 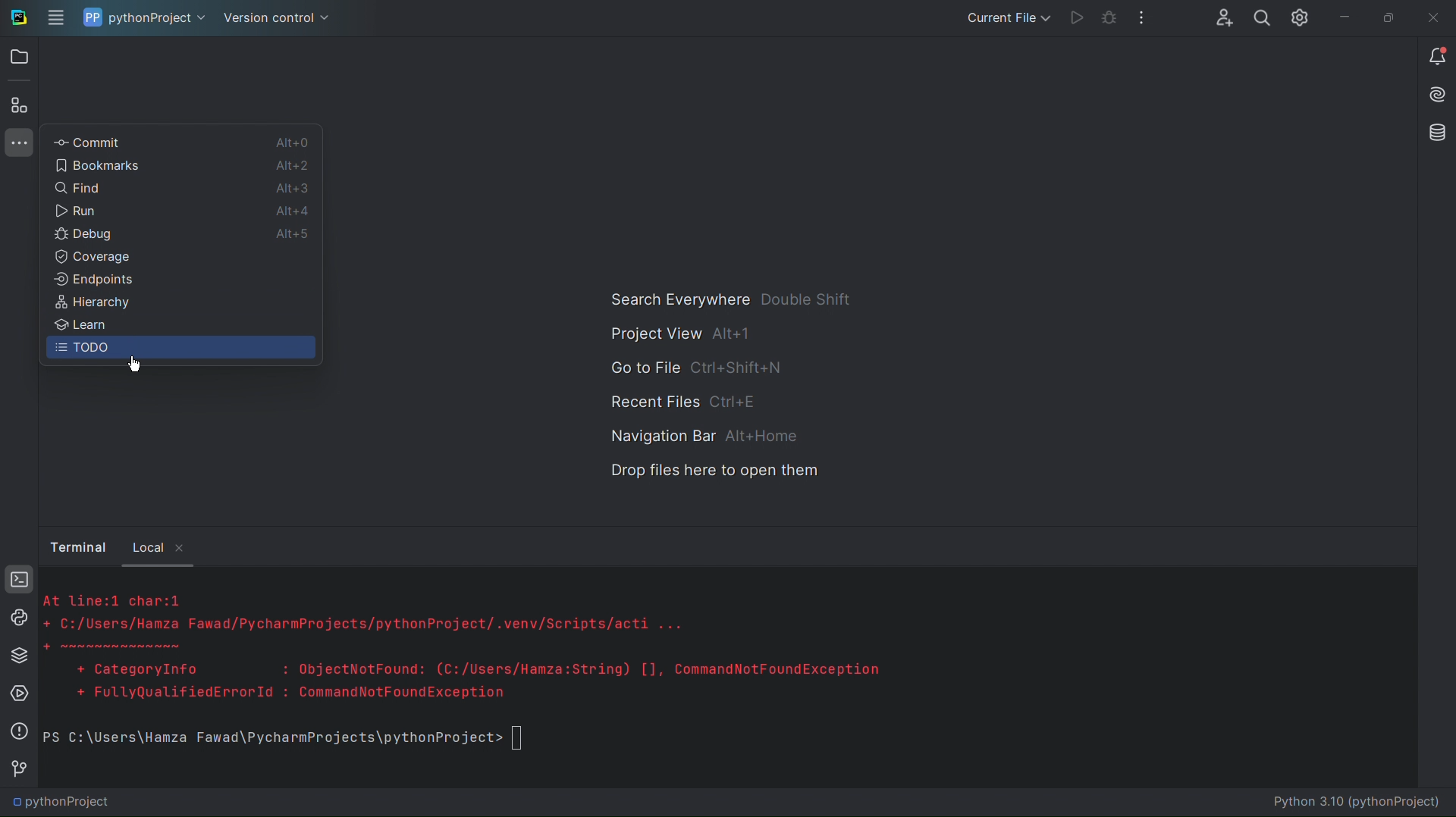 I want to click on Debug, so click(x=120, y=236).